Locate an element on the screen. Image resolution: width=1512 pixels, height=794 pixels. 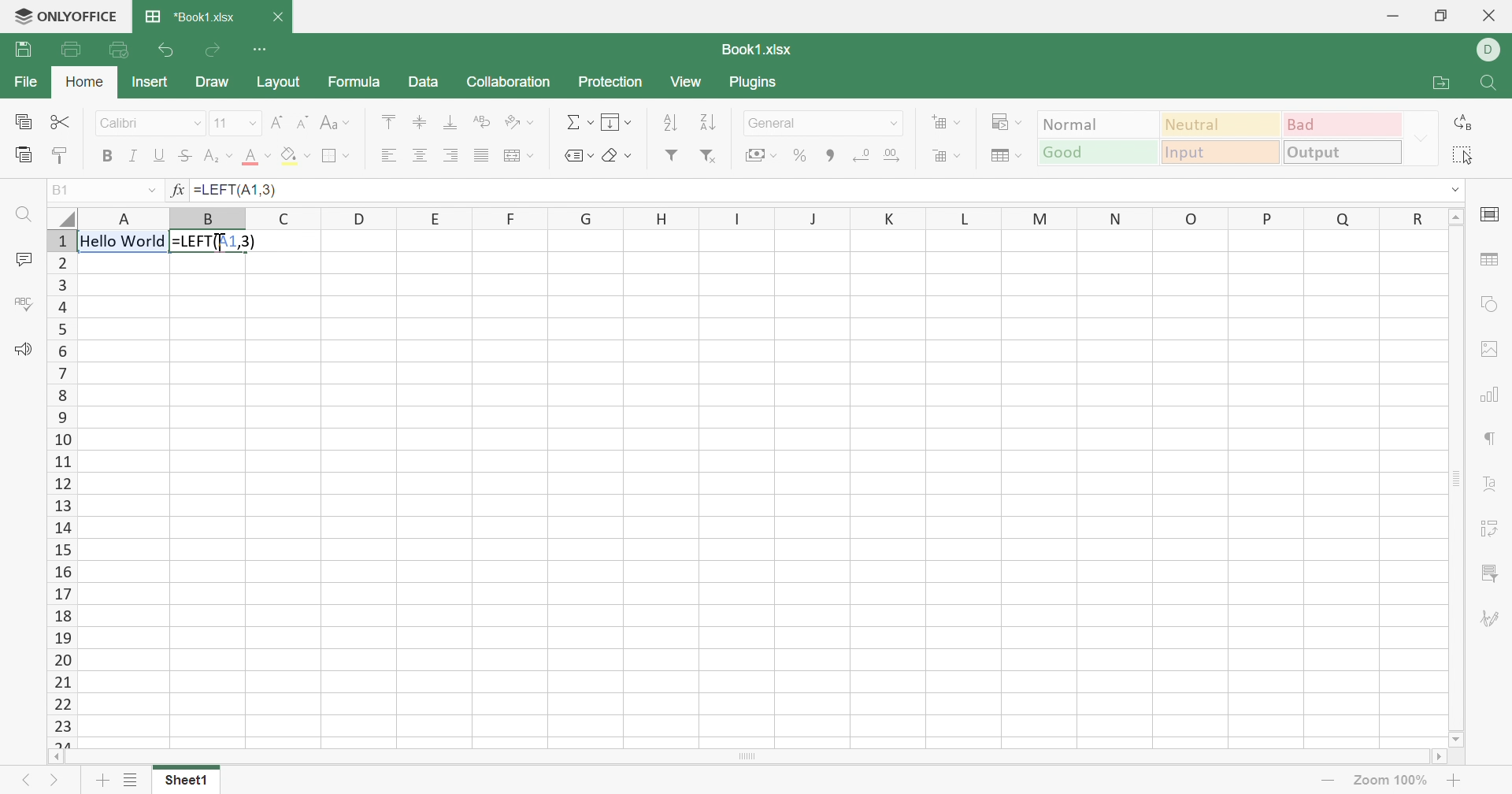
=LEFT(A1,3) is located at coordinates (213, 240).